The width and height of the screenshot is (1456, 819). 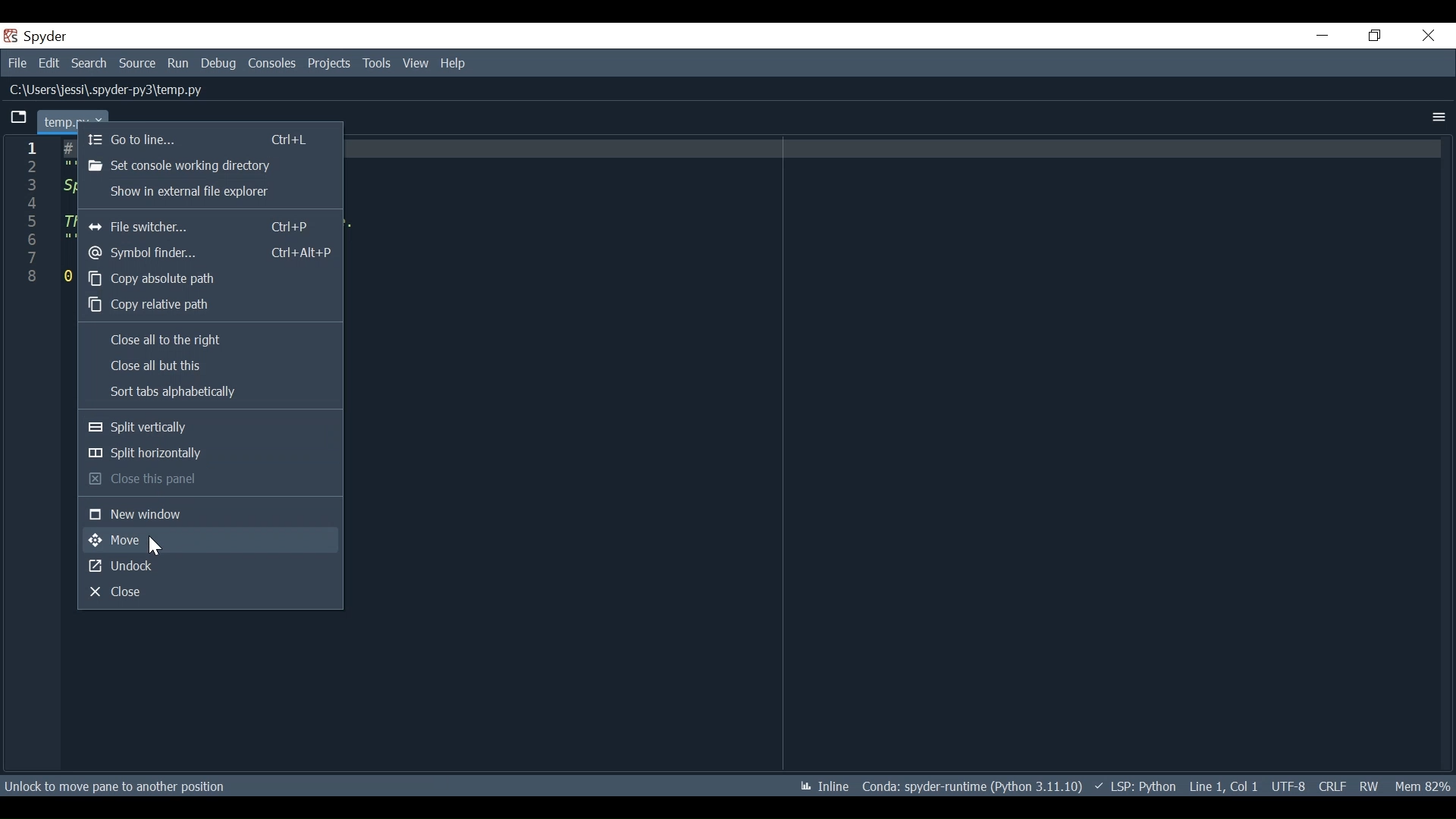 What do you see at coordinates (206, 166) in the screenshot?
I see `Set console working directory` at bounding box center [206, 166].